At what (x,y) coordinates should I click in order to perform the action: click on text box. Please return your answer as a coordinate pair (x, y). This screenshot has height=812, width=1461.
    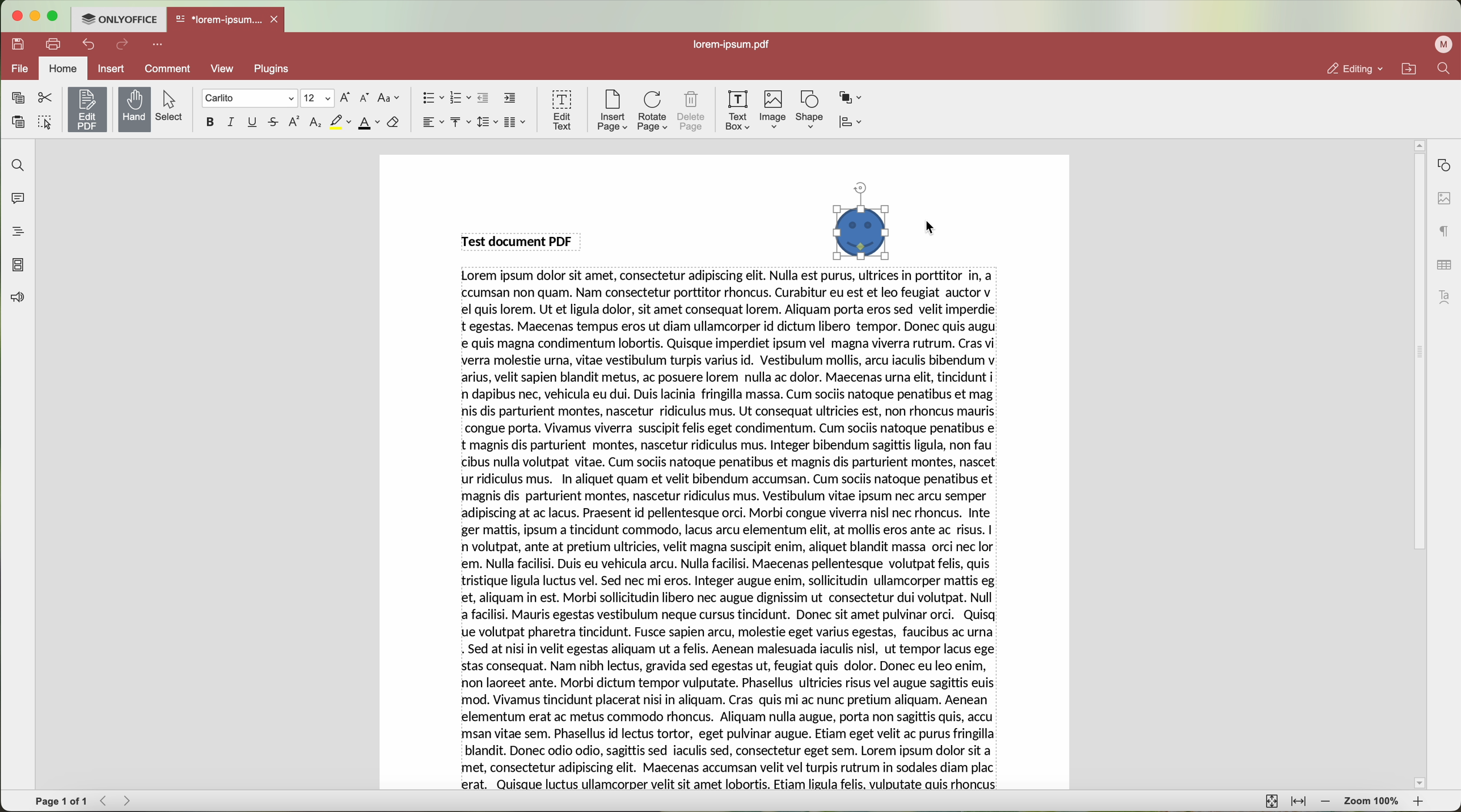
    Looking at the image, I should click on (737, 109).